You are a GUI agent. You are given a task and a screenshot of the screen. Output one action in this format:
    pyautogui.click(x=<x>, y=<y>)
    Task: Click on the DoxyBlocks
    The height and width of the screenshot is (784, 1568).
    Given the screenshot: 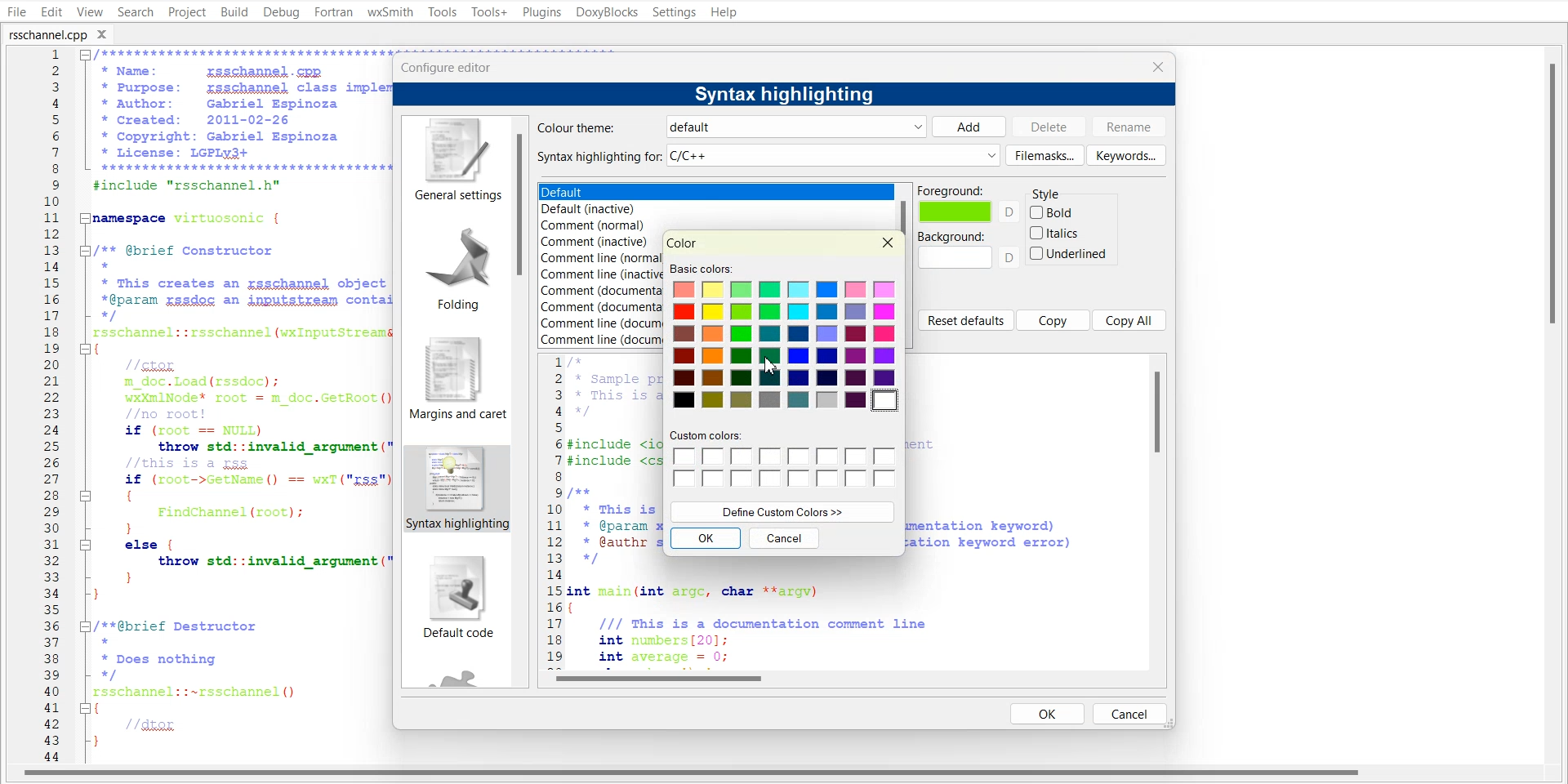 What is the action you would take?
    pyautogui.click(x=606, y=12)
    